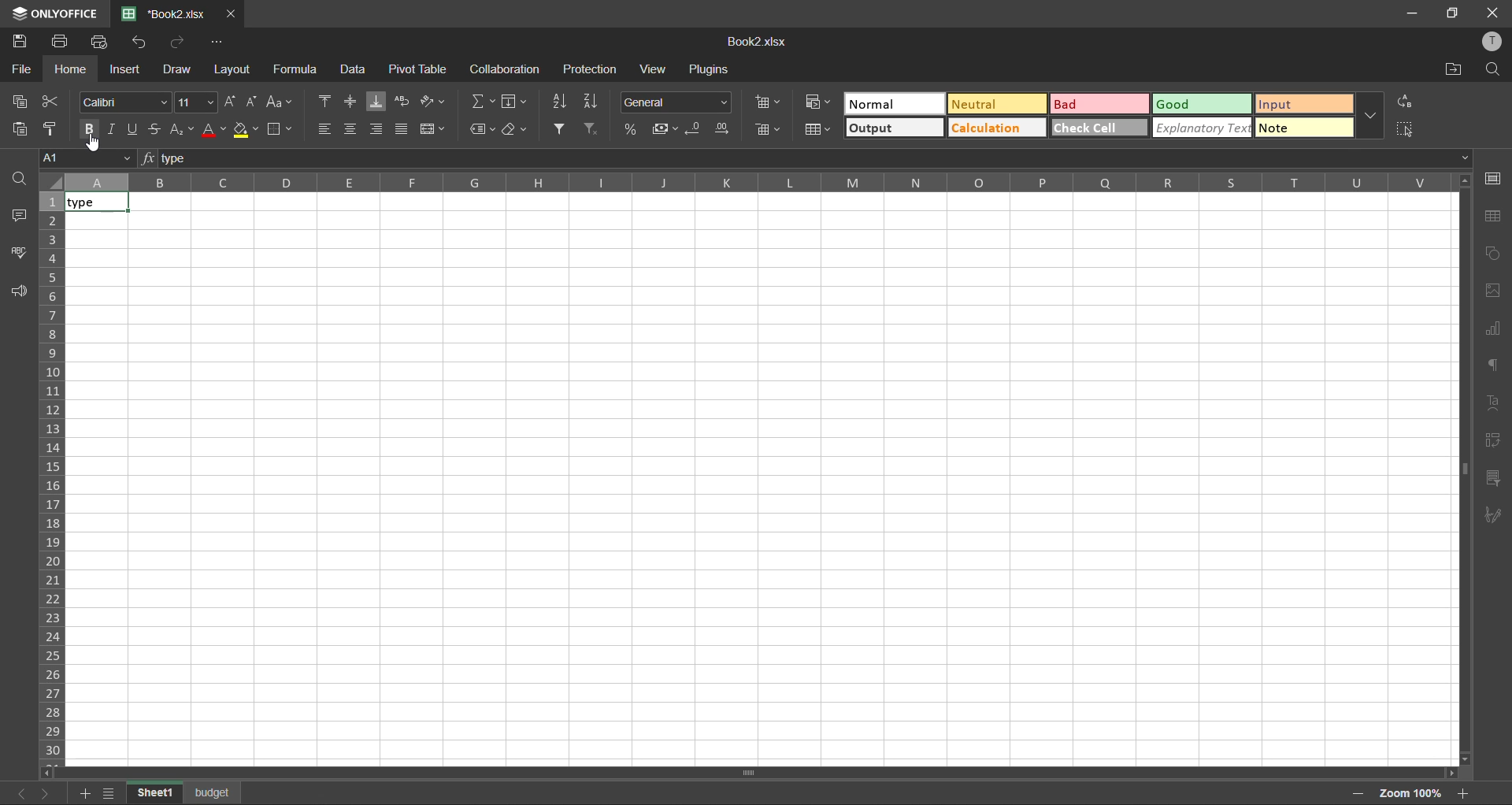 This screenshot has width=1512, height=805. I want to click on replace, so click(1403, 101).